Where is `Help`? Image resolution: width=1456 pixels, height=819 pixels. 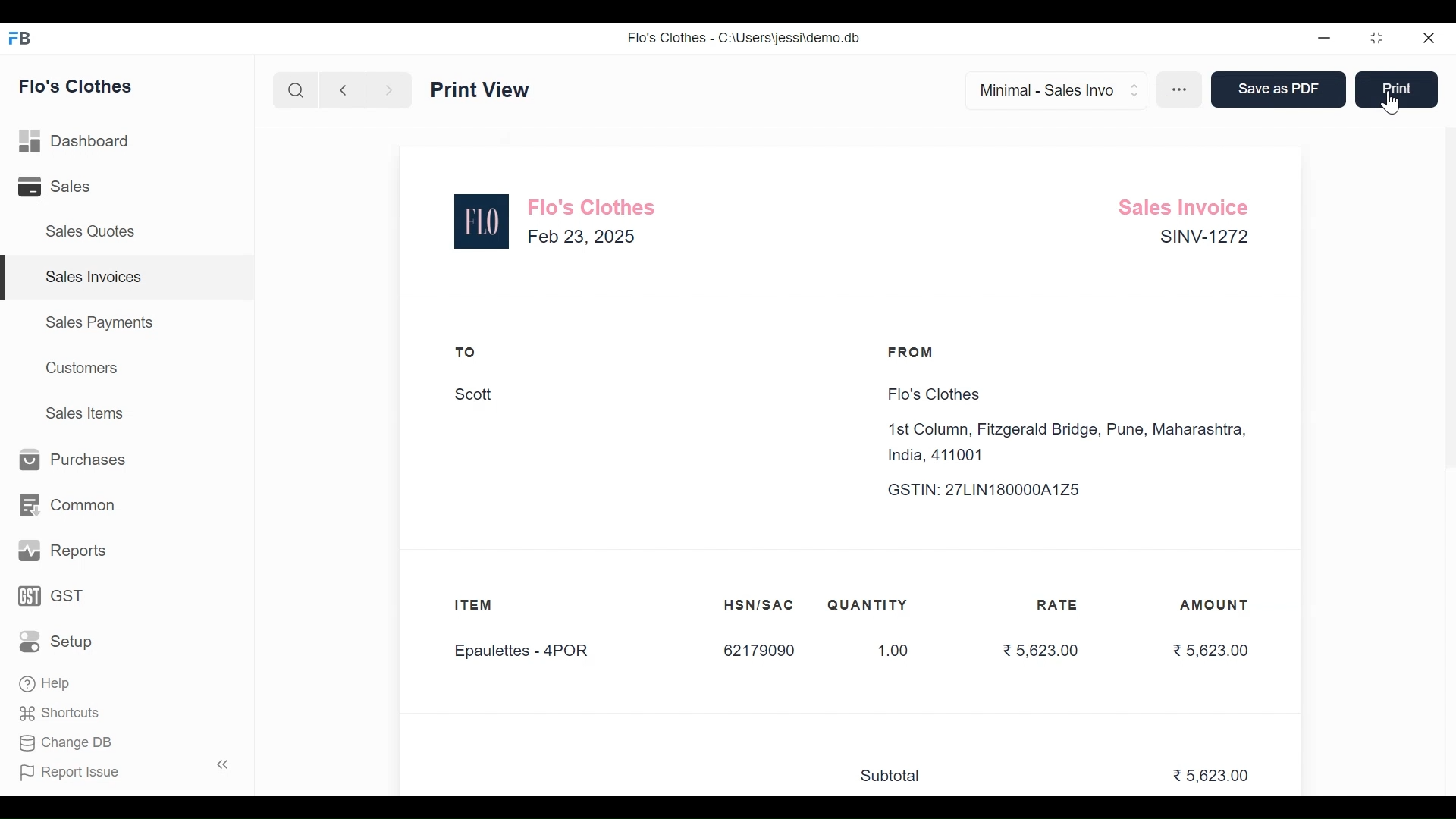 Help is located at coordinates (46, 686).